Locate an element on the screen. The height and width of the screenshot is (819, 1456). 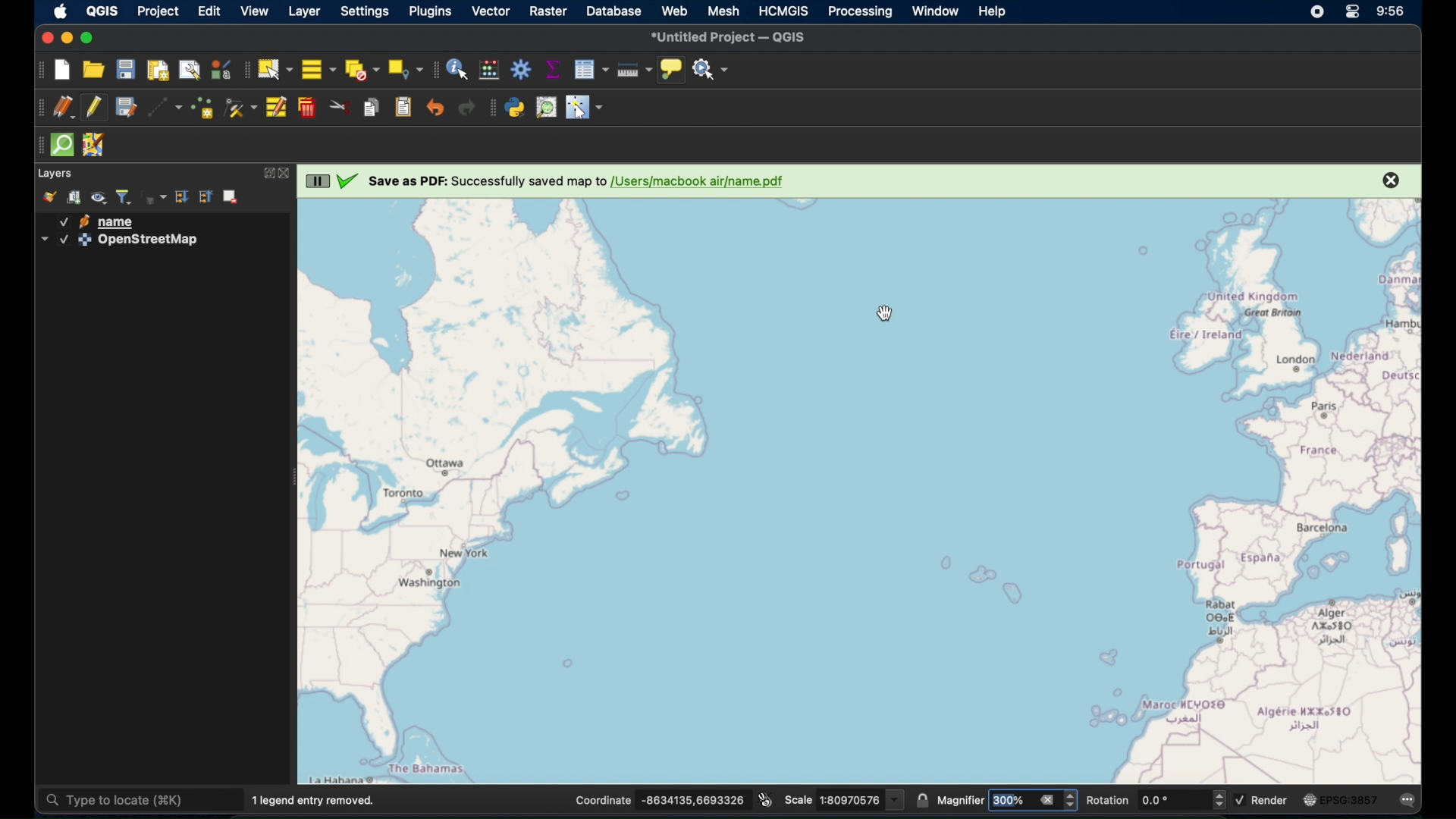
show statistical summary is located at coordinates (553, 70).